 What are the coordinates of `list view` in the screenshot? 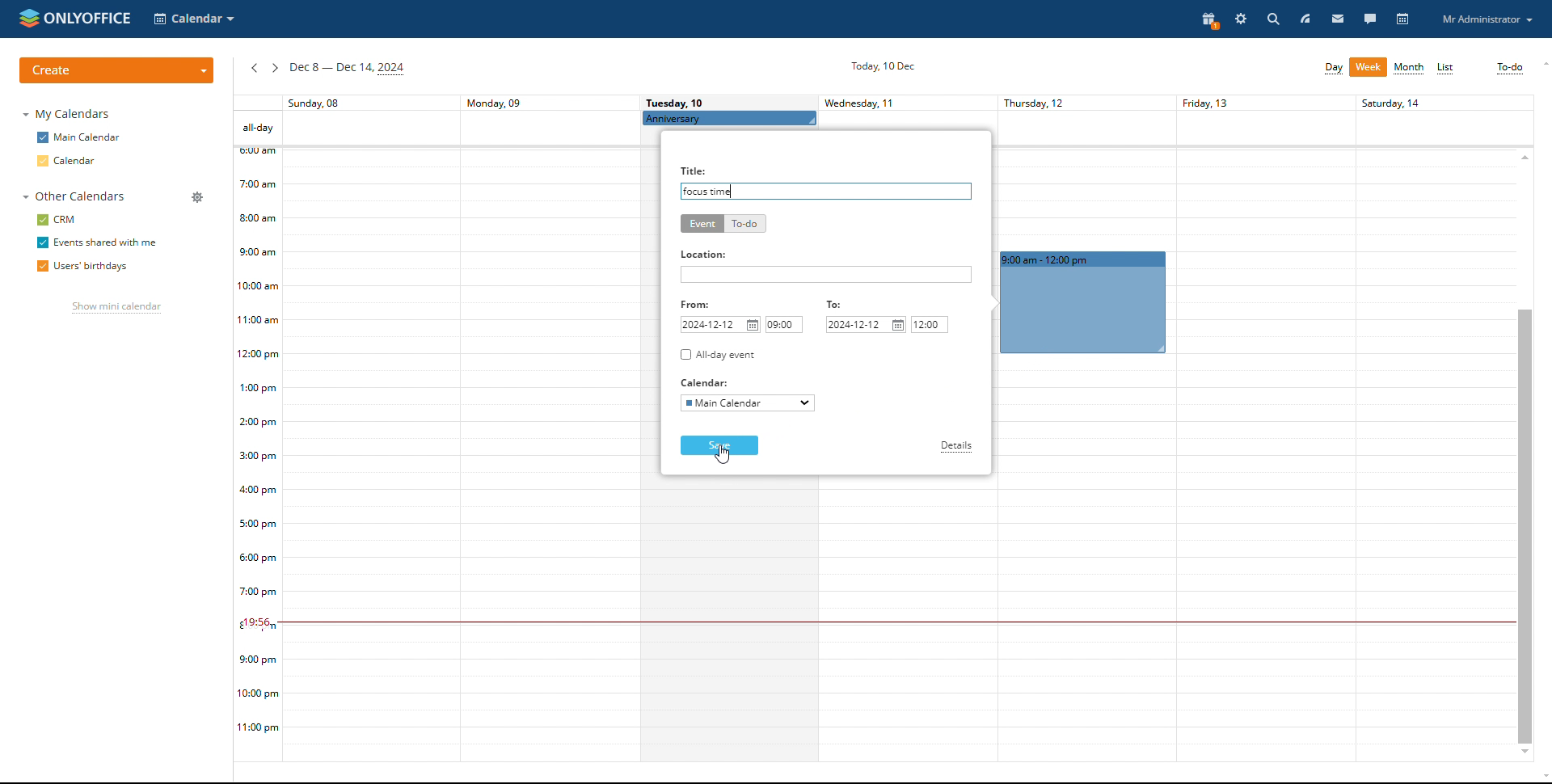 It's located at (1446, 69).